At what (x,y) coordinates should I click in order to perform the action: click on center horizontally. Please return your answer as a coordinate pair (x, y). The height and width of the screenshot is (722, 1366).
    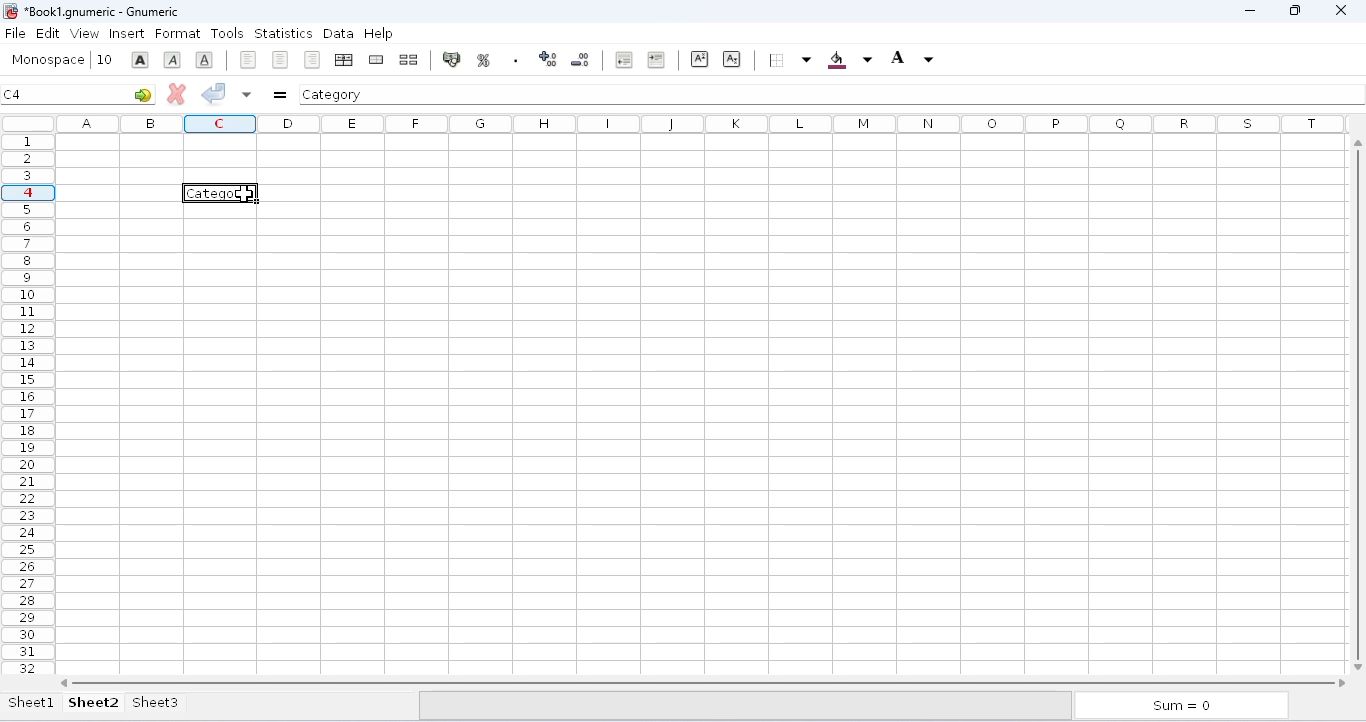
    Looking at the image, I should click on (281, 60).